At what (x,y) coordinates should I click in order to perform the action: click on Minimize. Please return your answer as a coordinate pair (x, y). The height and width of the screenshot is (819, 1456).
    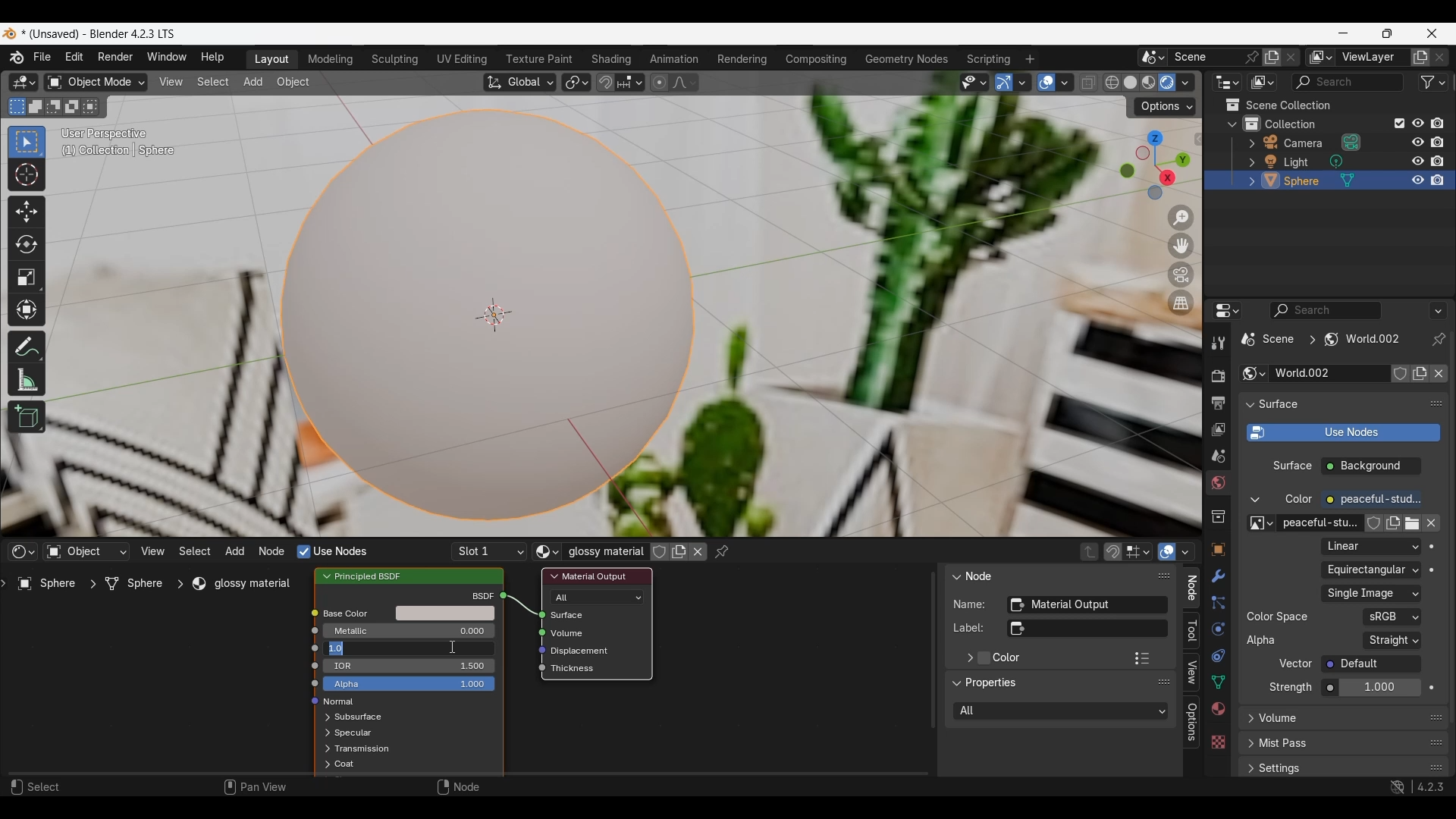
    Looking at the image, I should click on (1343, 33).